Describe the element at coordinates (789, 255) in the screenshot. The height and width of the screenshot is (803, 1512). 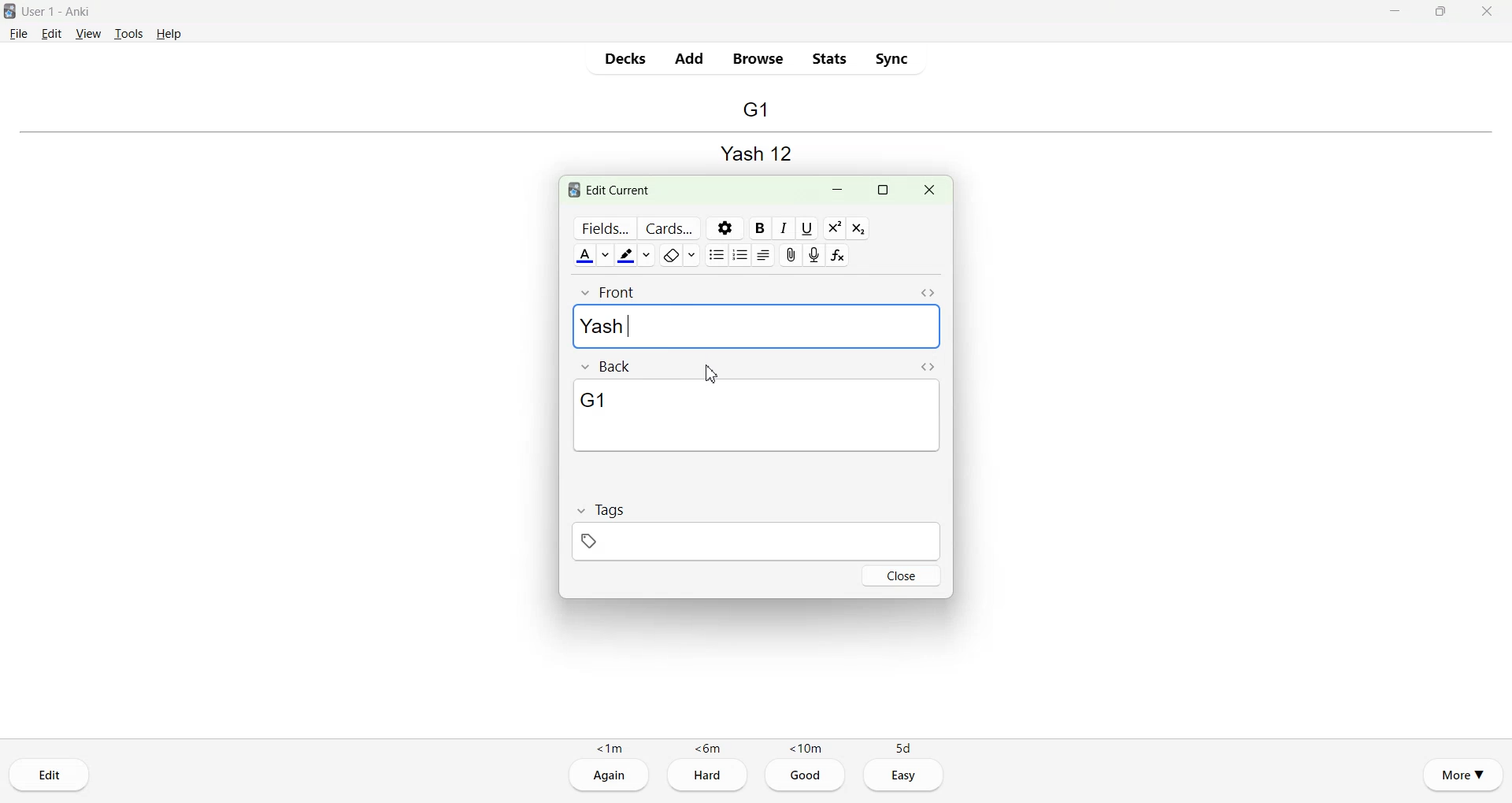
I see `Attach picture/audio/video` at that location.